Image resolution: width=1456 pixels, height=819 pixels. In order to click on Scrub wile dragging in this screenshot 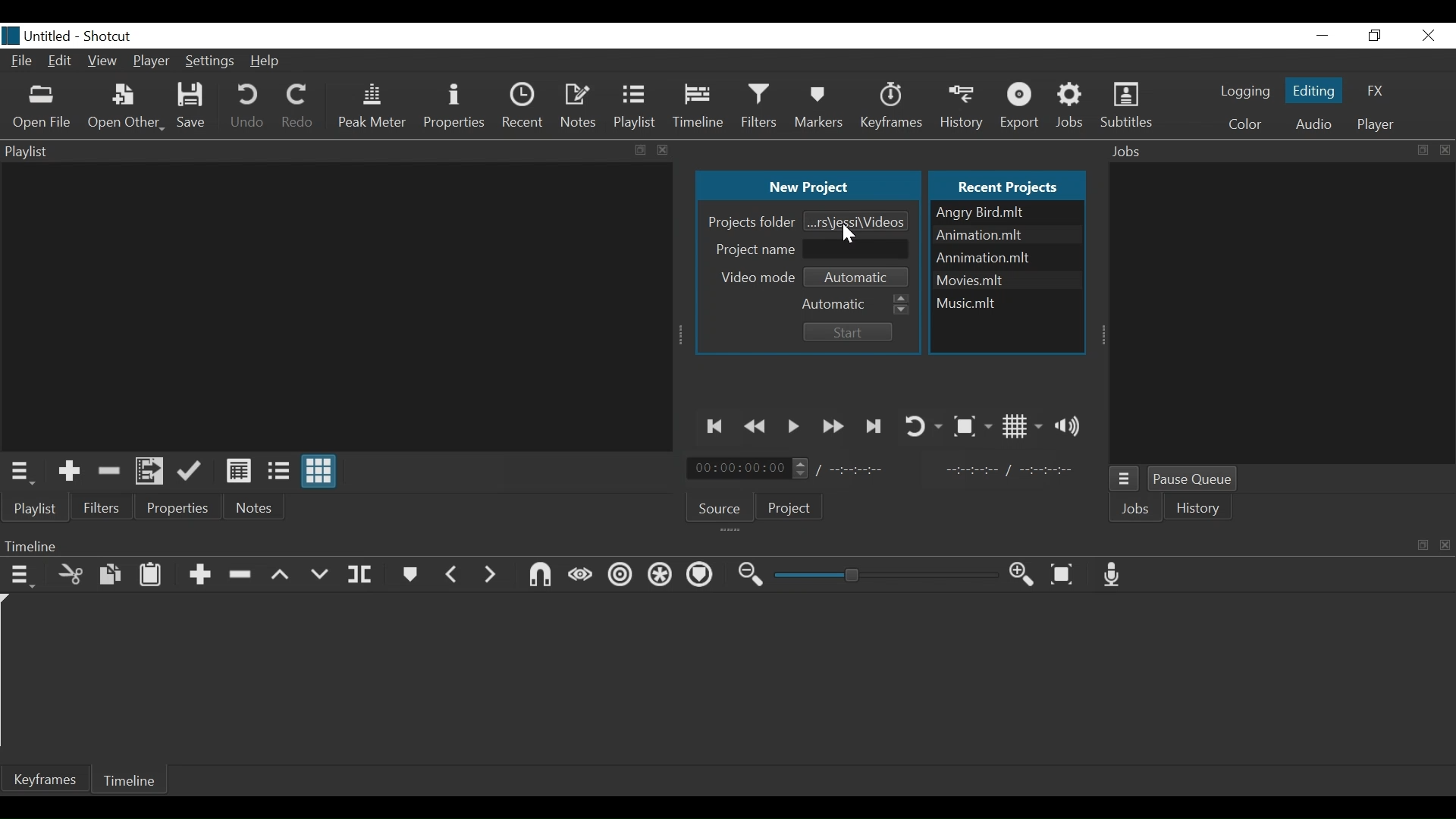, I will do `click(579, 575)`.